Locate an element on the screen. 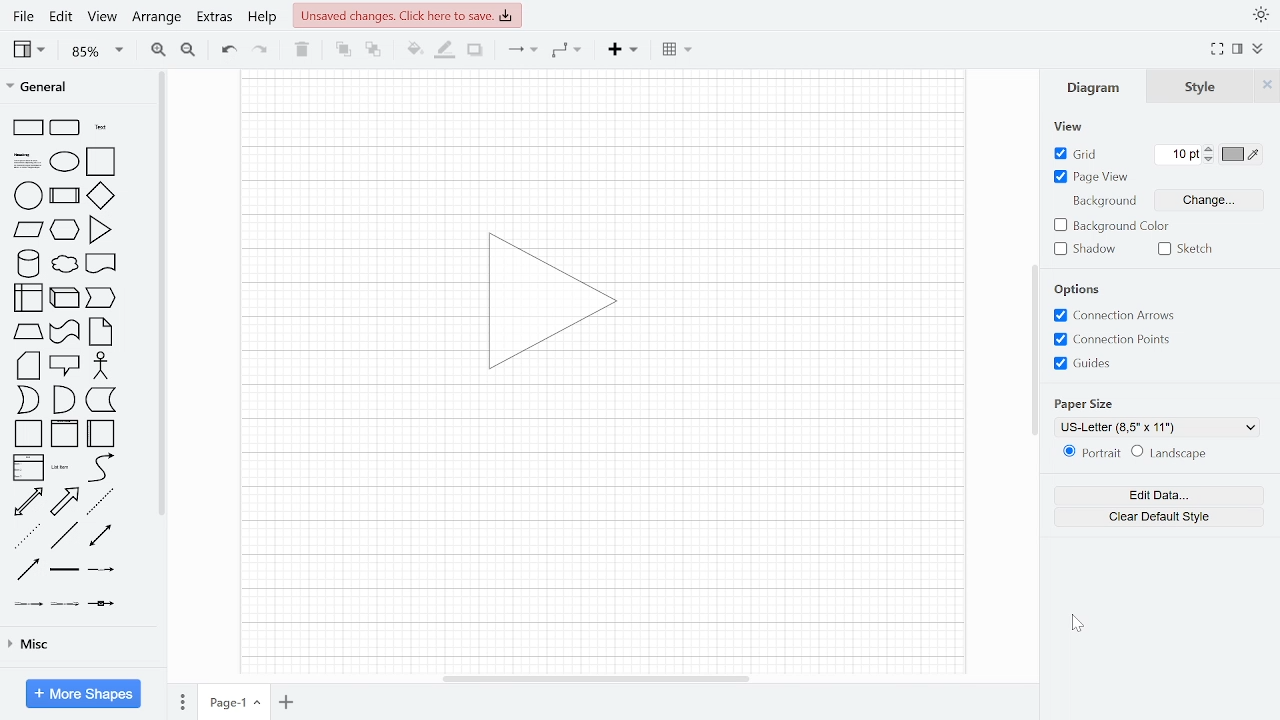 The height and width of the screenshot is (720, 1280). List is located at coordinates (29, 468).